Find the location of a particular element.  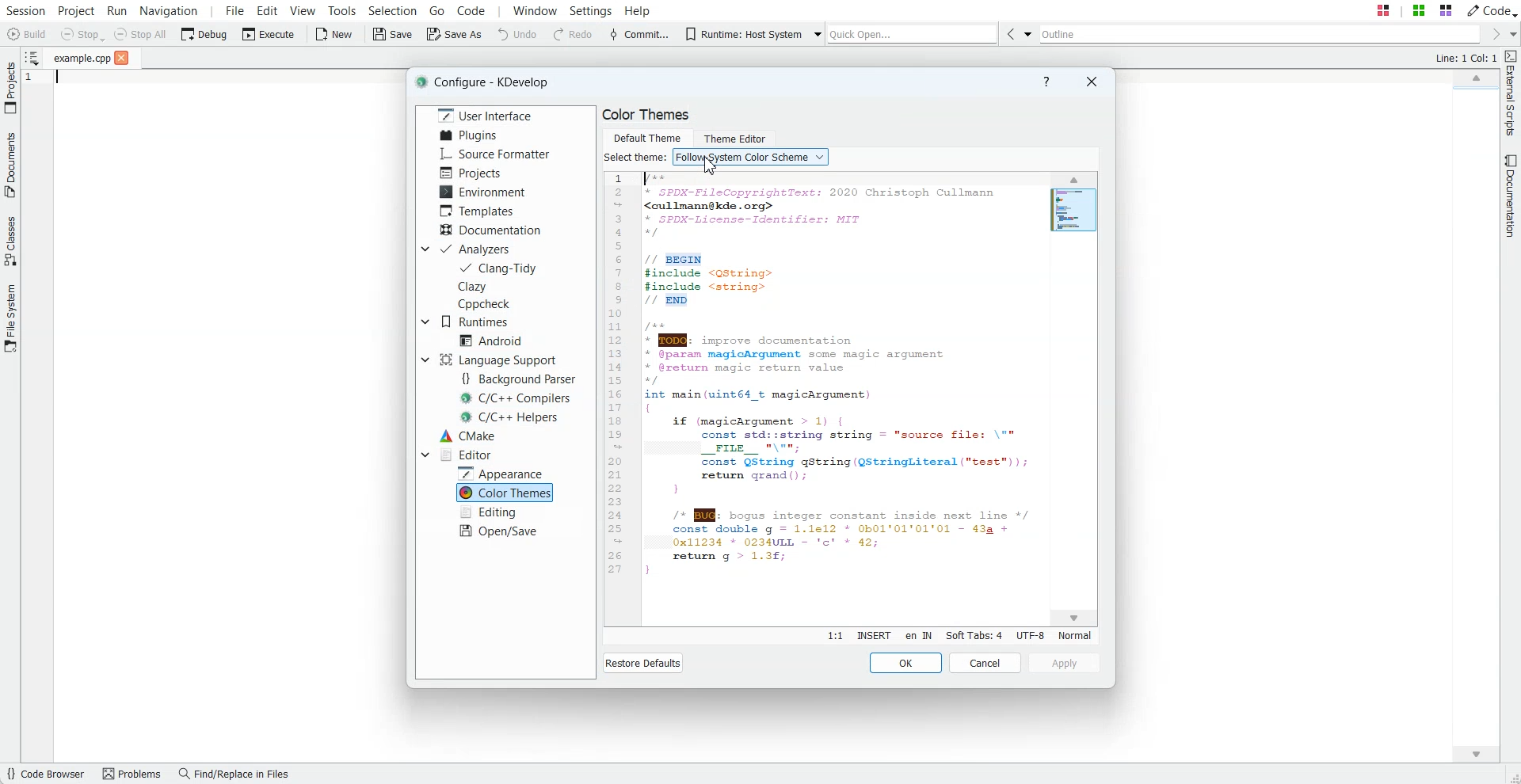

Commit is located at coordinates (638, 36).